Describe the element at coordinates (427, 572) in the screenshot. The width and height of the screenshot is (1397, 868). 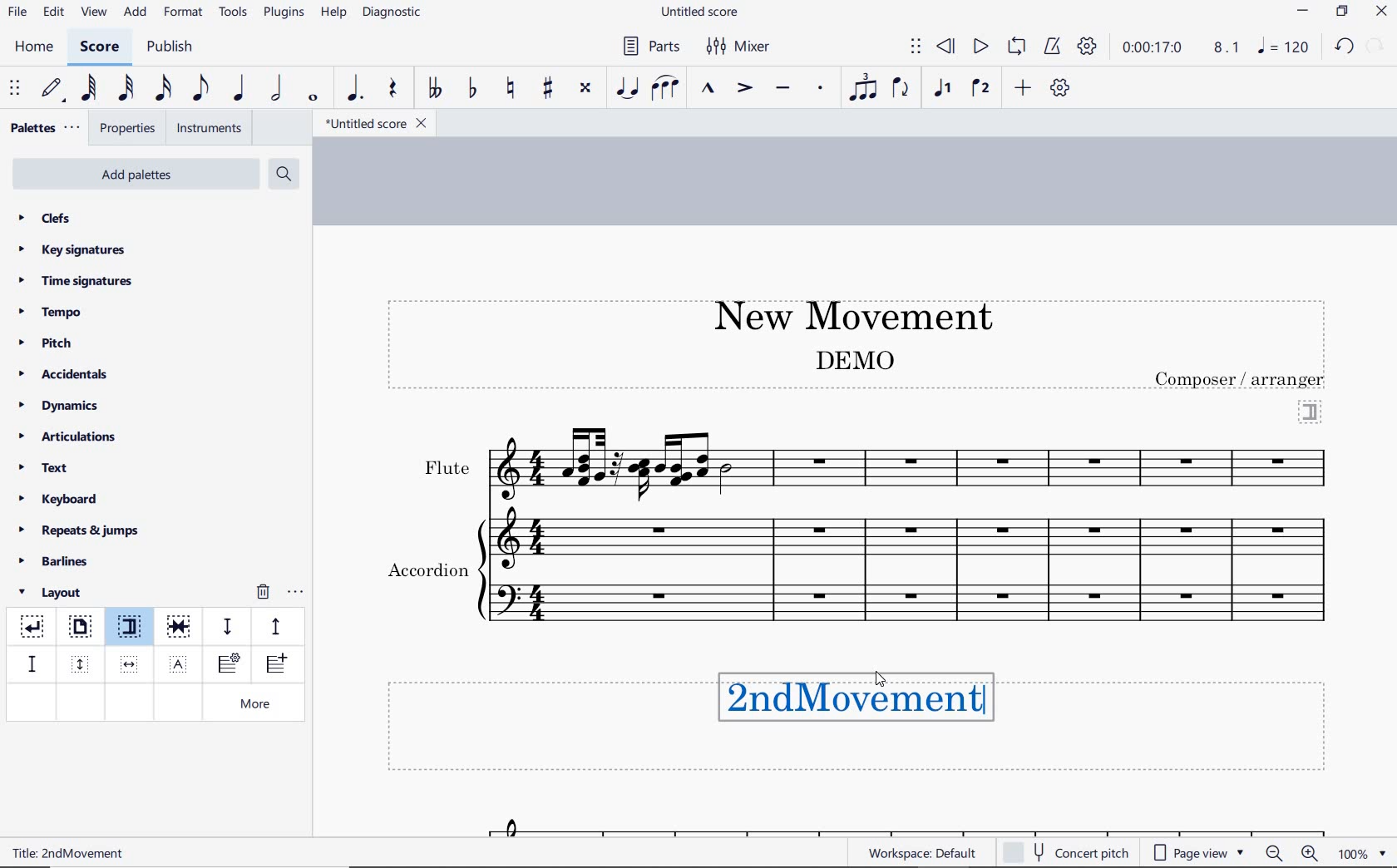
I see `text` at that location.